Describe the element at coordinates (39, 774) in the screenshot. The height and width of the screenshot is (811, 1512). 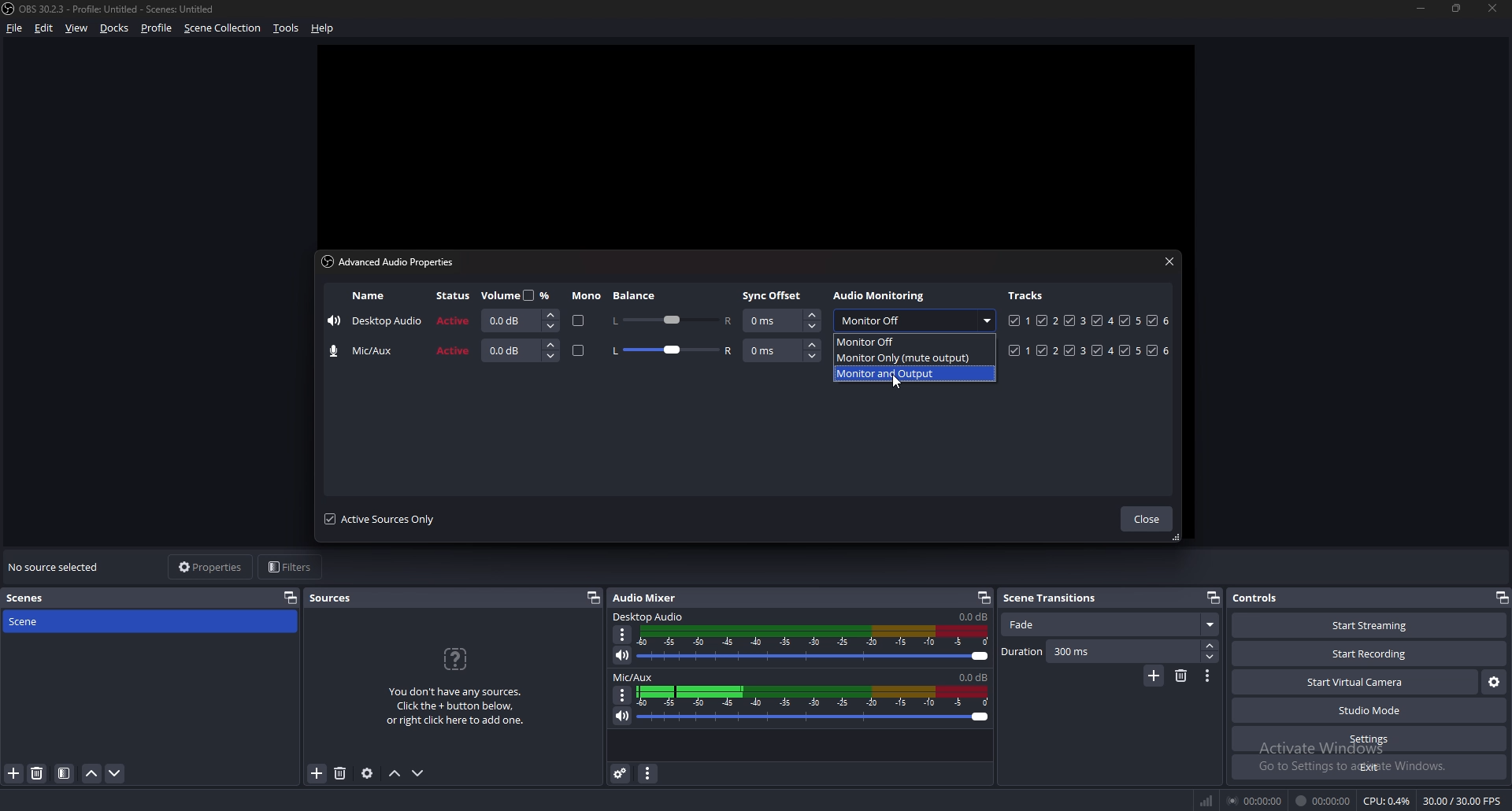
I see `delete scene` at that location.